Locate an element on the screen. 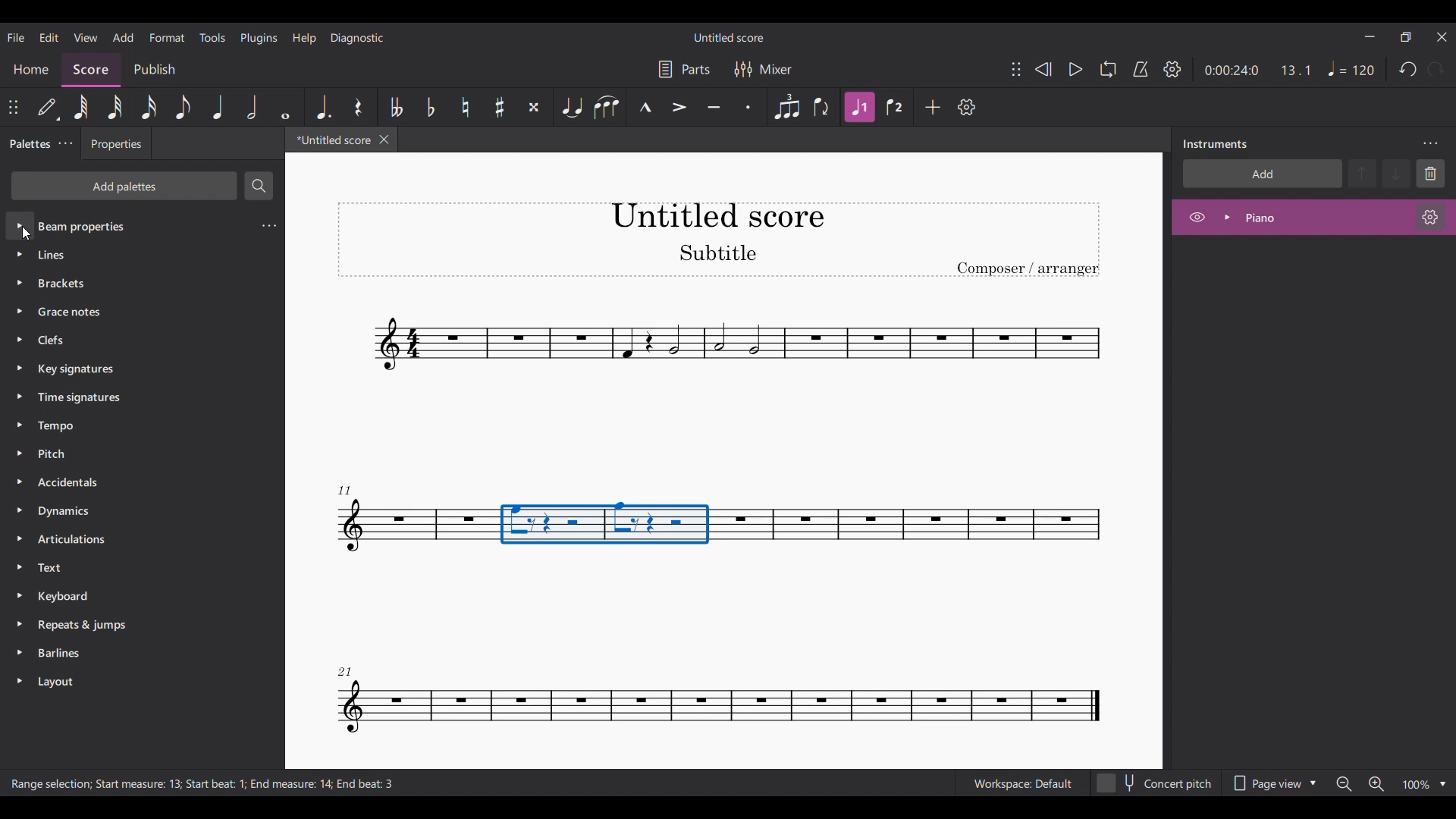  Delete is located at coordinates (1430, 174).